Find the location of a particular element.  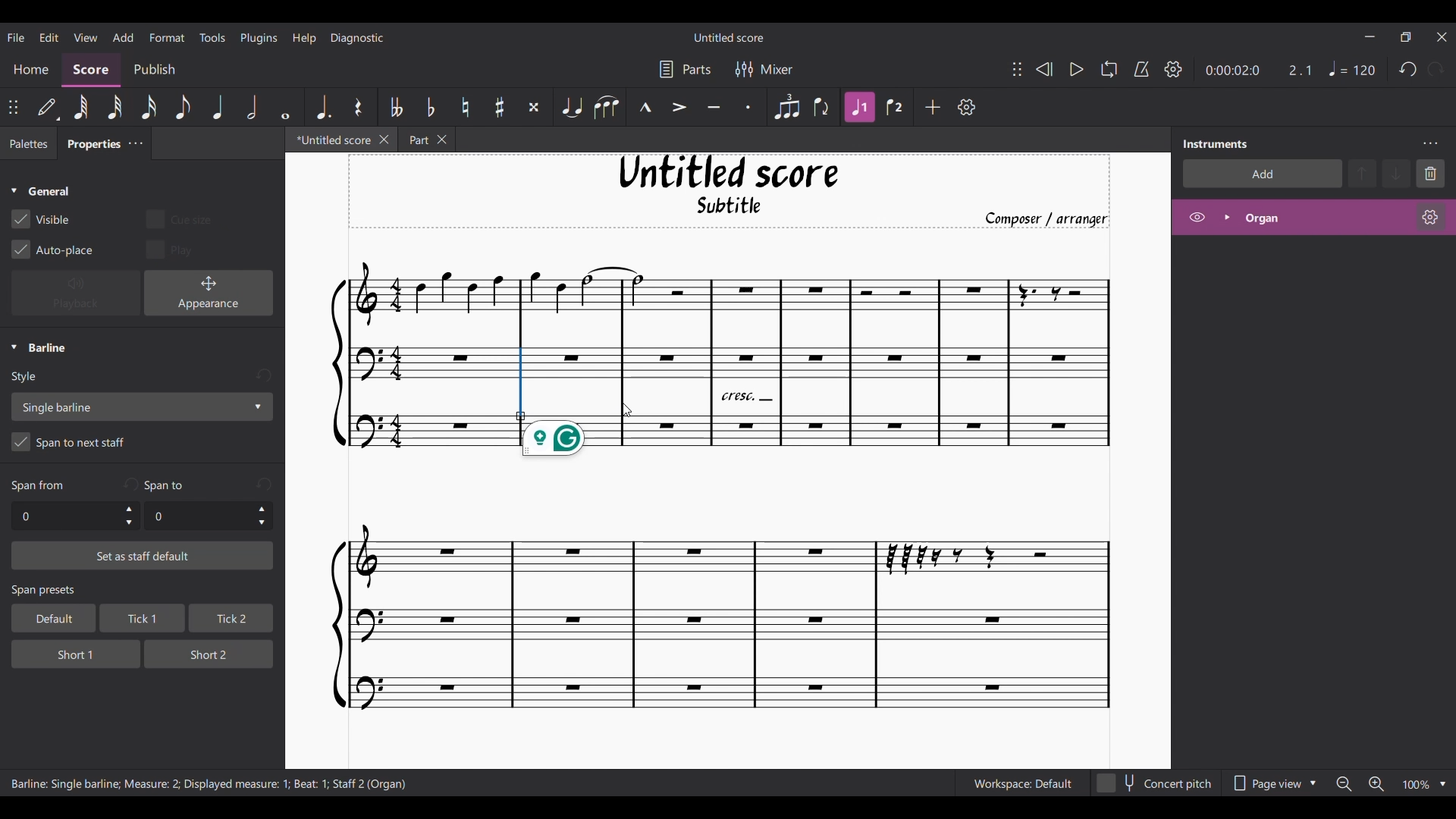

Type in Span from is located at coordinates (64, 516).